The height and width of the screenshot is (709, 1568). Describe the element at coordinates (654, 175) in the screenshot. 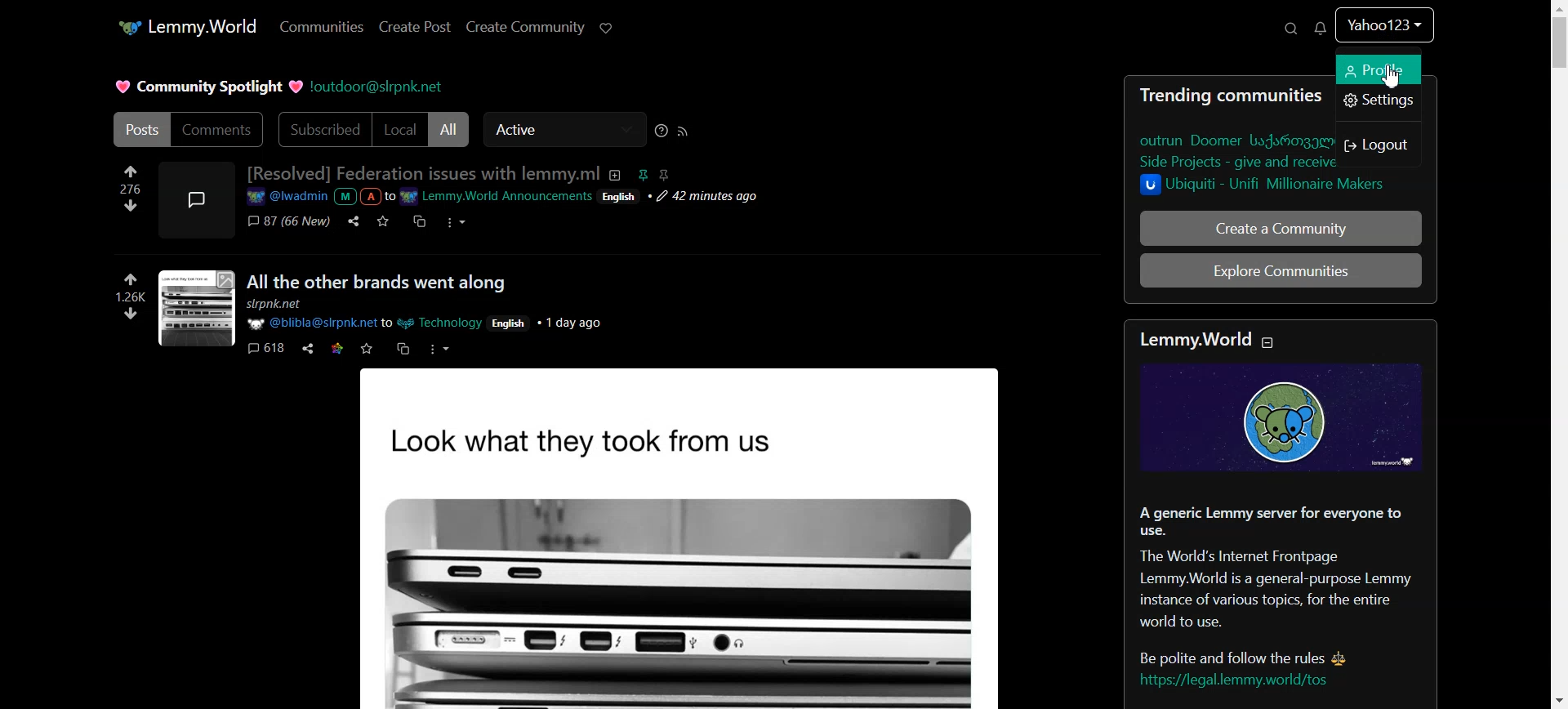

I see `Tag` at that location.